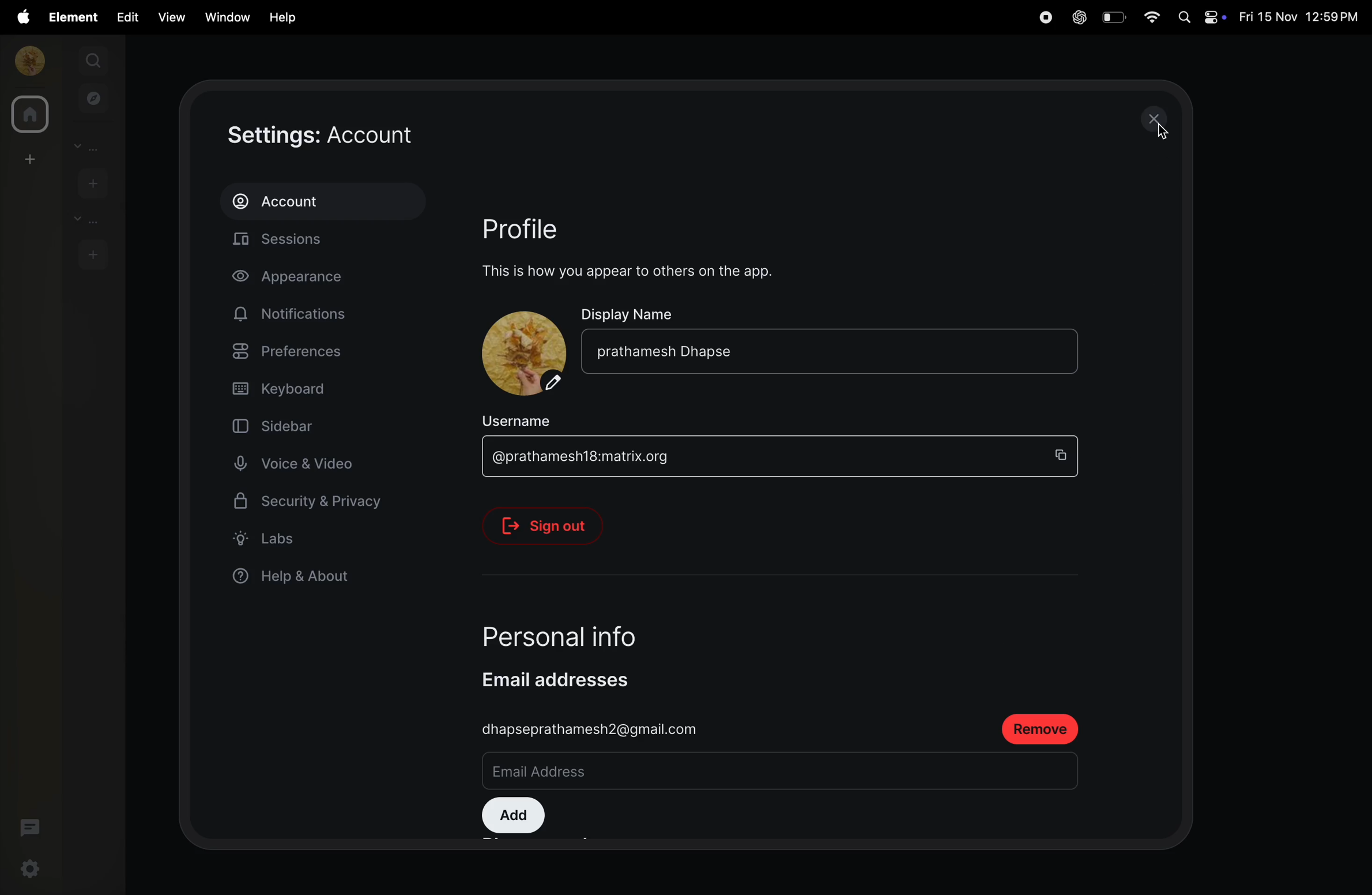 The height and width of the screenshot is (895, 1372). Describe the element at coordinates (1040, 728) in the screenshot. I see `remove` at that location.